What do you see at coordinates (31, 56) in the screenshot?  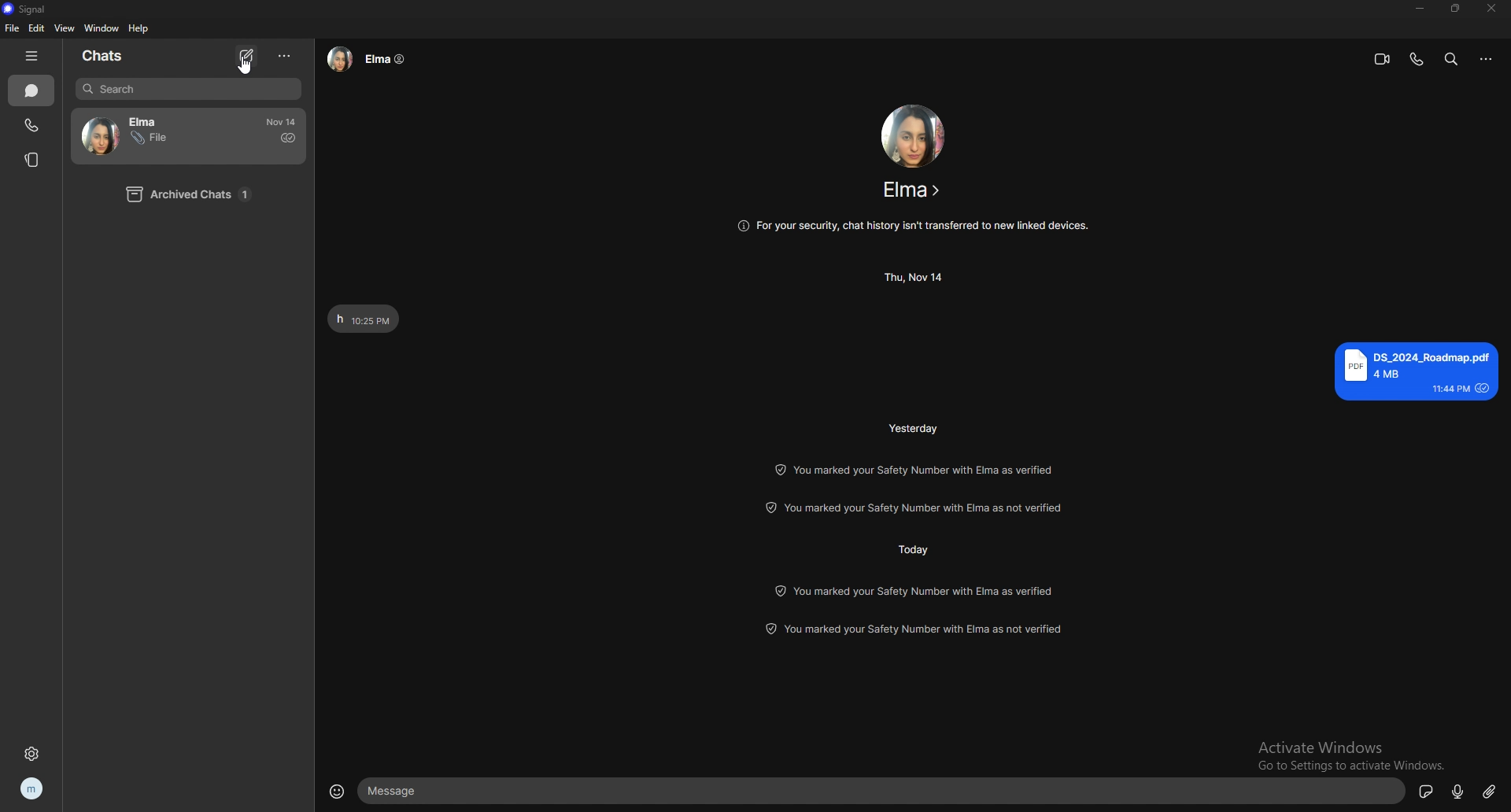 I see `hide tab` at bounding box center [31, 56].